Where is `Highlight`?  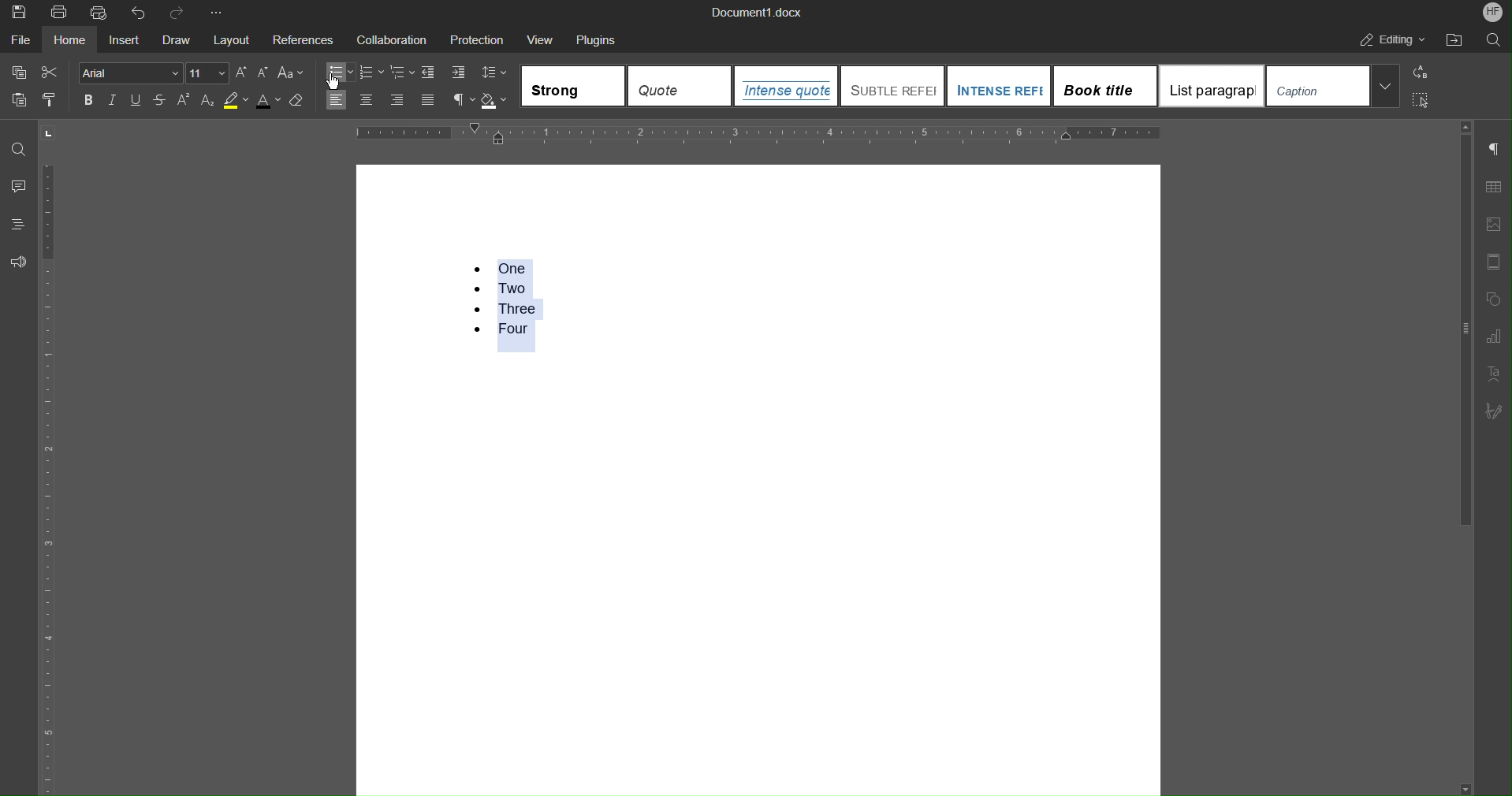 Highlight is located at coordinates (234, 102).